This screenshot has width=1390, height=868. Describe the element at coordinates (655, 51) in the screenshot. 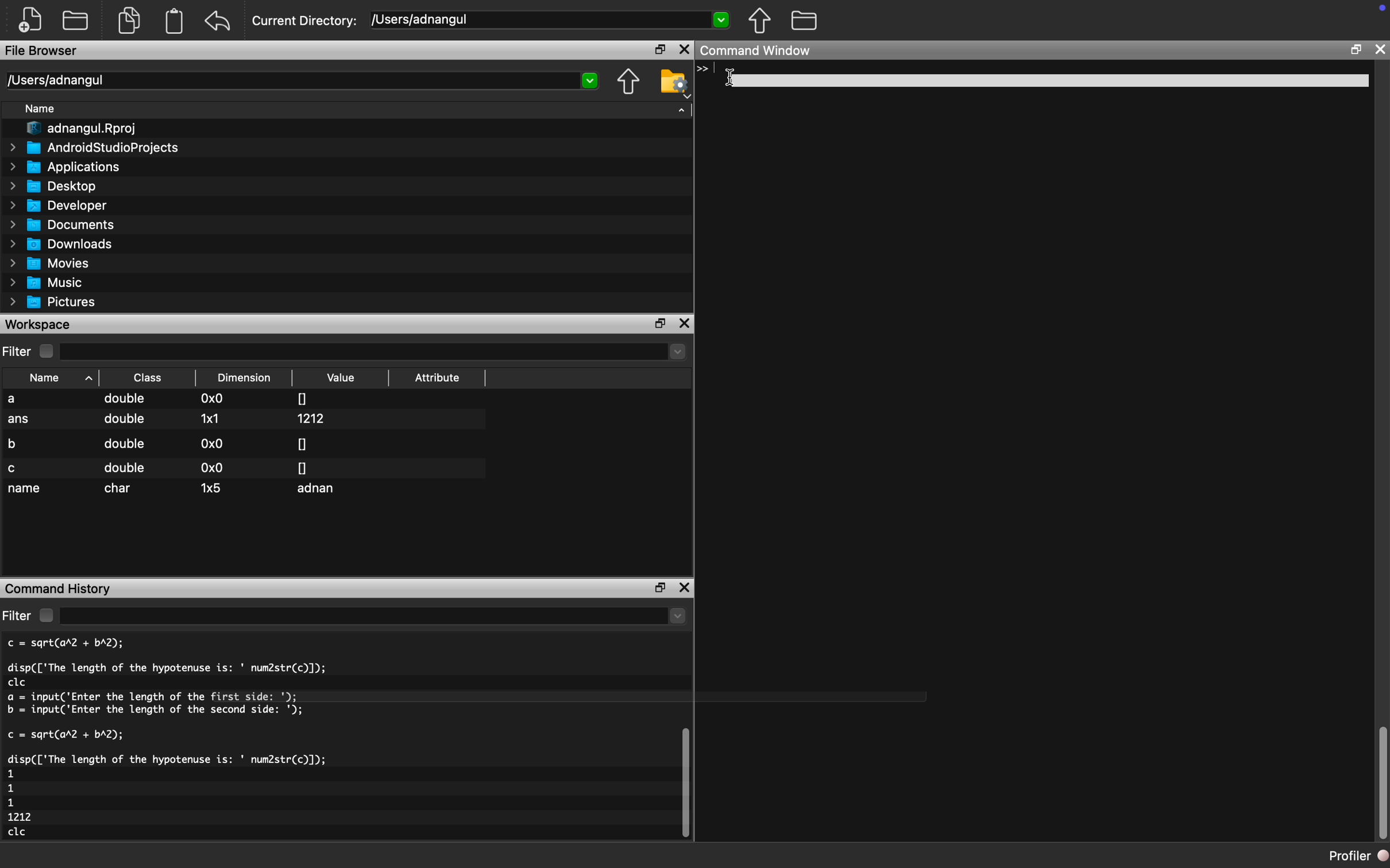

I see `restore down` at that location.